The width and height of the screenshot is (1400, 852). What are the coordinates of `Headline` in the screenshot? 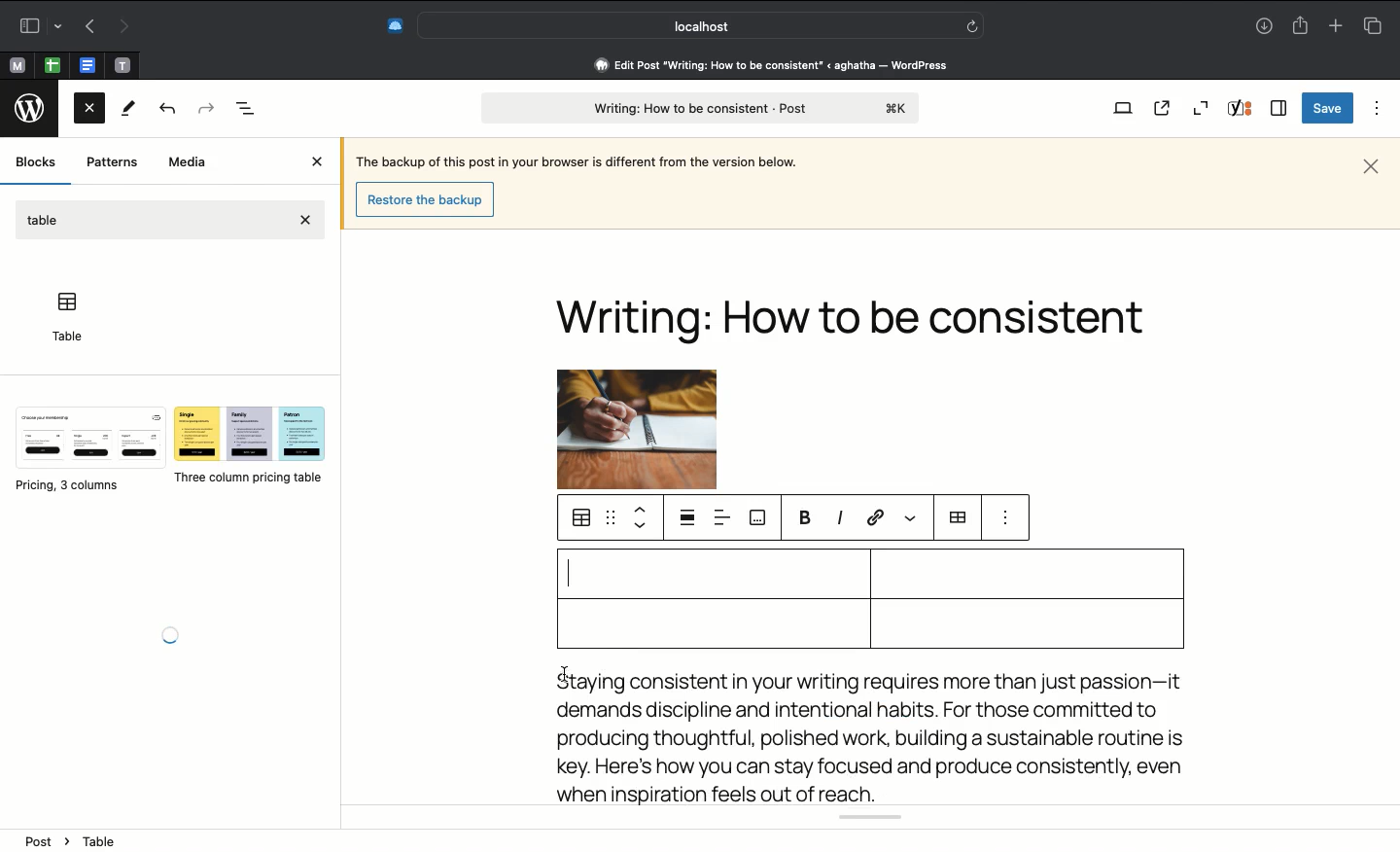 It's located at (858, 325).